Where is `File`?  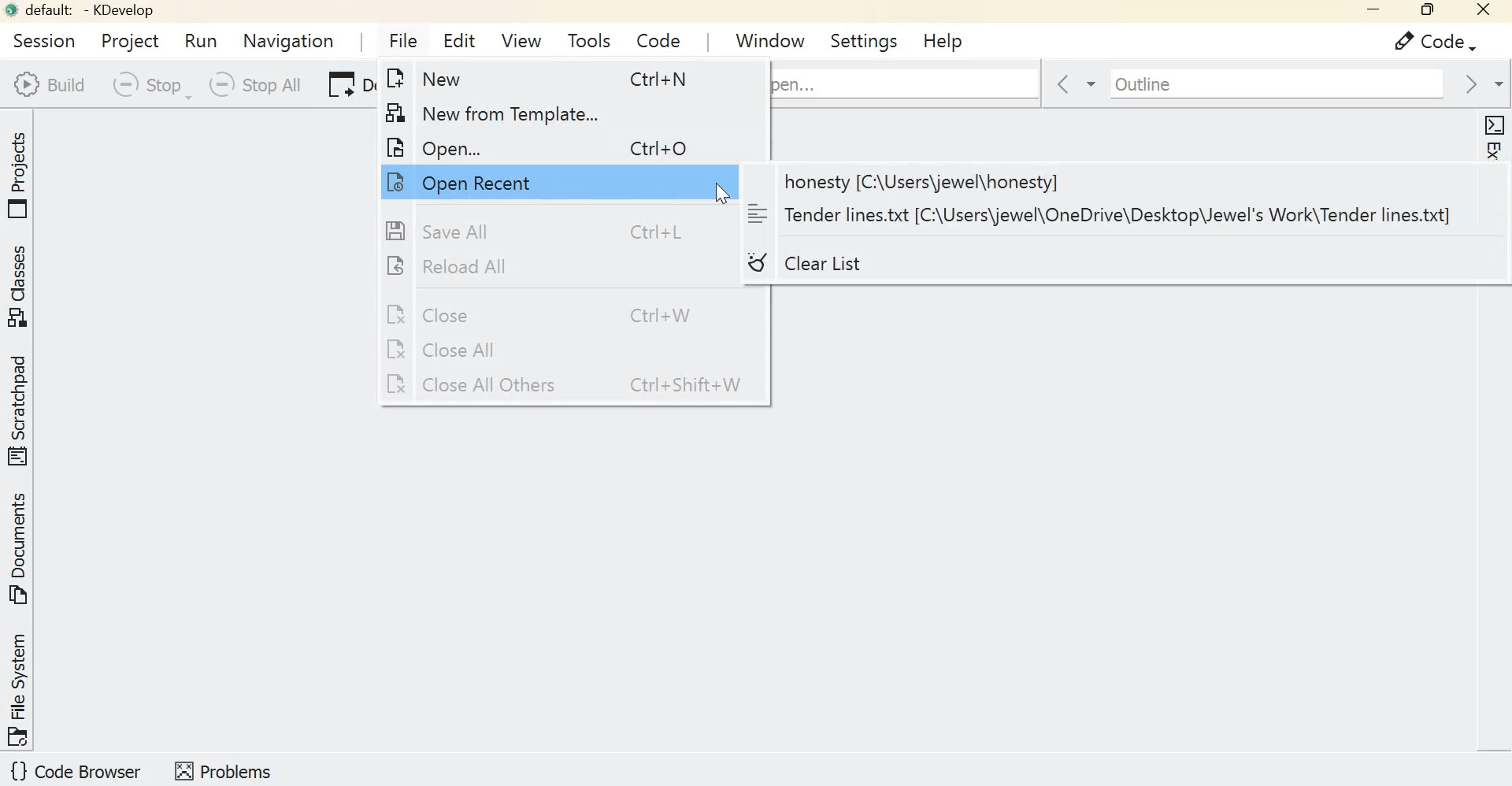 File is located at coordinates (399, 39).